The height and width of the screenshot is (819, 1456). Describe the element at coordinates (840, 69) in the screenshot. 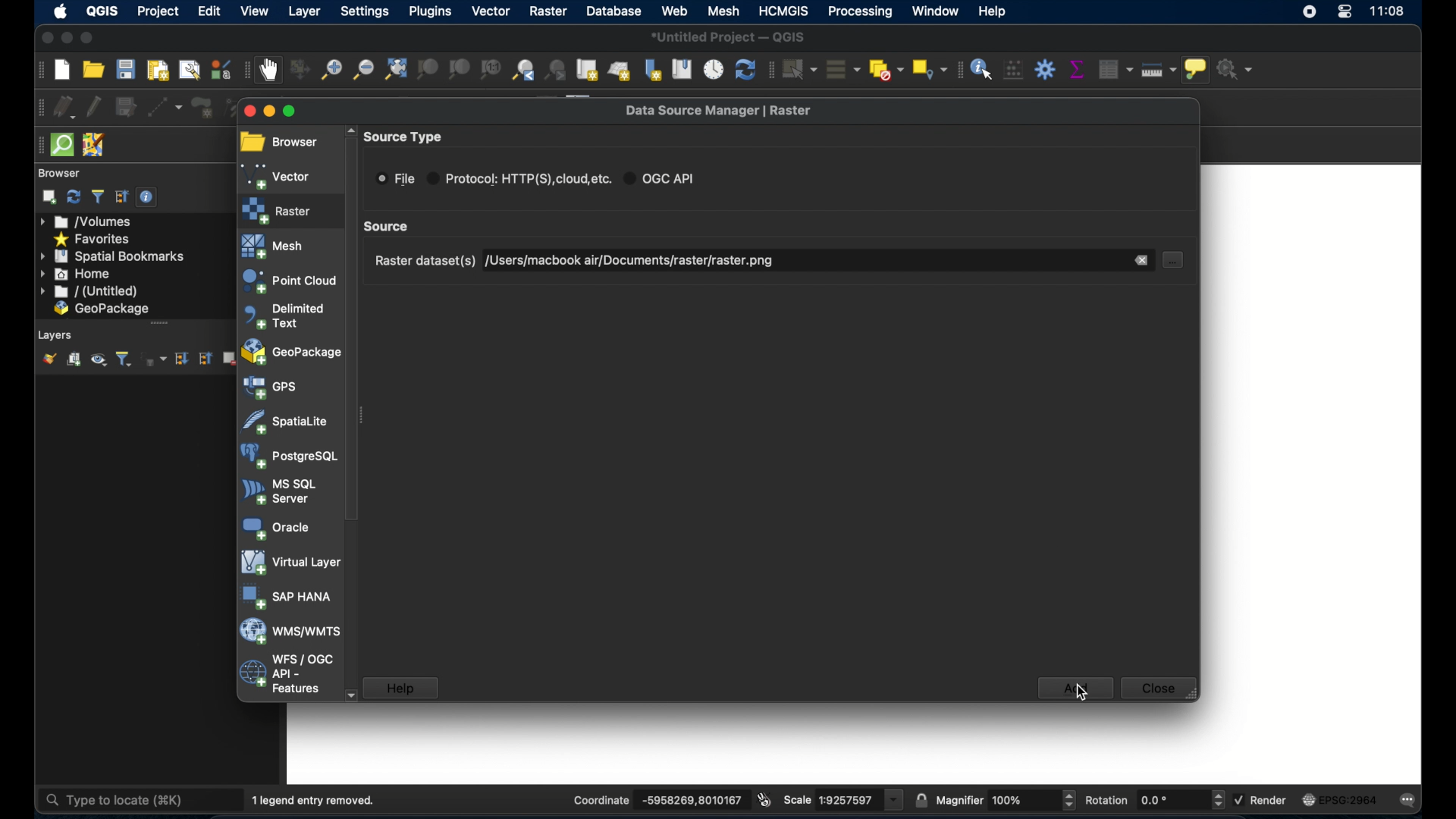

I see `select all features` at that location.